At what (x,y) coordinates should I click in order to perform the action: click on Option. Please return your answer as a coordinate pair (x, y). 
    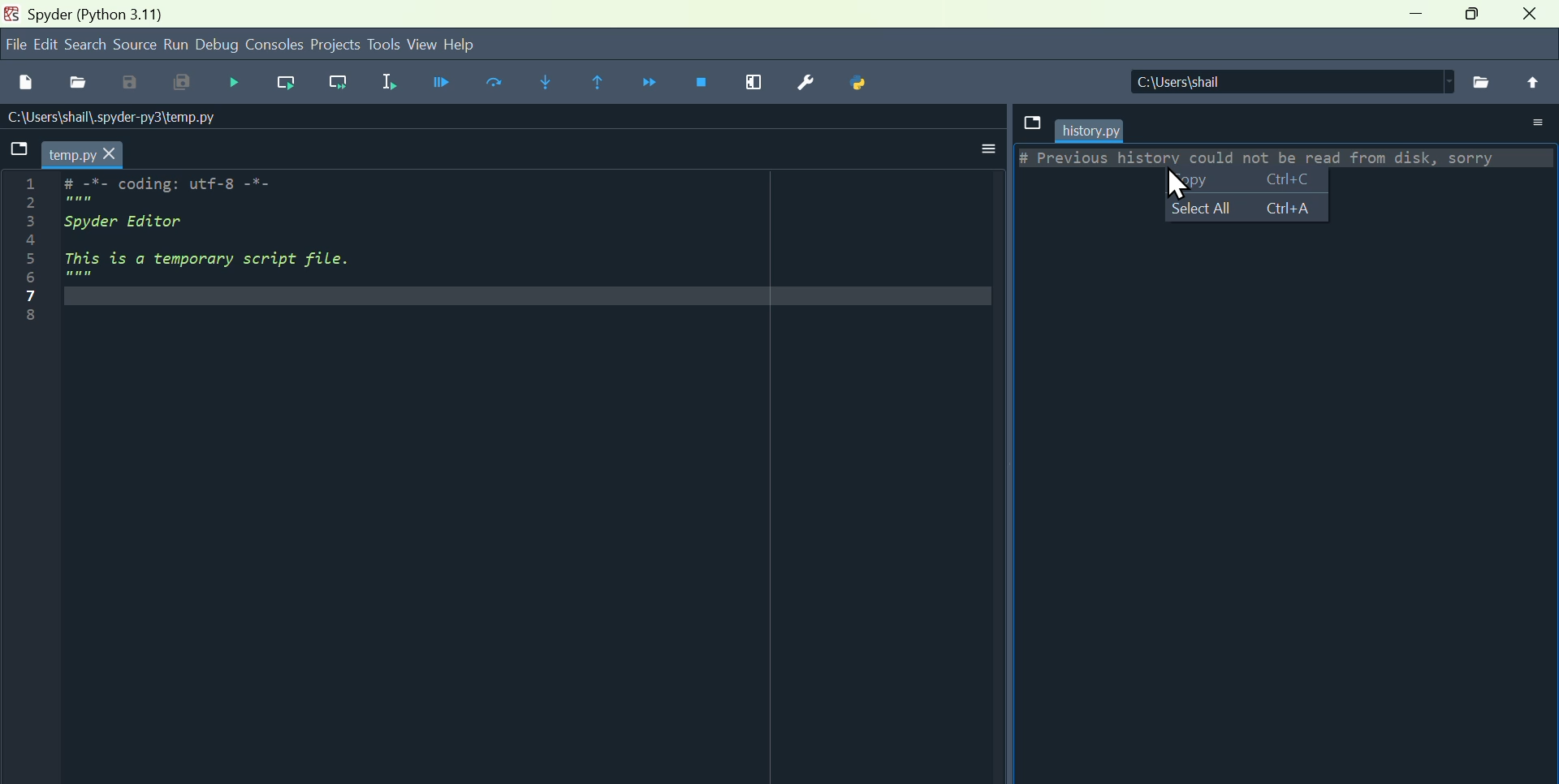
    Looking at the image, I should click on (1536, 123).